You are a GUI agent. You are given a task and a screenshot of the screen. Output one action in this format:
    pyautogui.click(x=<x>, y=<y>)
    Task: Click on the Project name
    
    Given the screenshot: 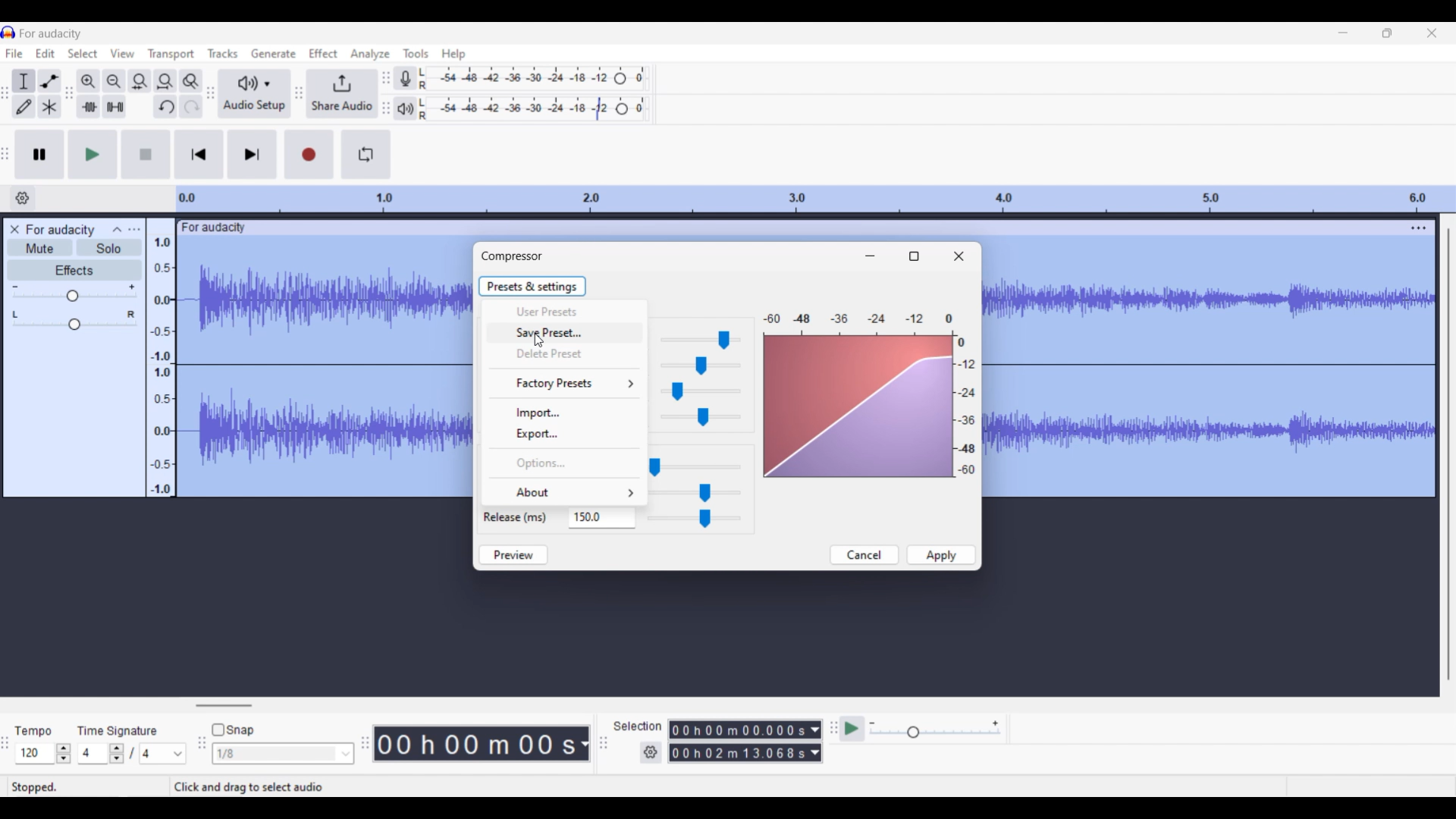 What is the action you would take?
    pyautogui.click(x=61, y=230)
    